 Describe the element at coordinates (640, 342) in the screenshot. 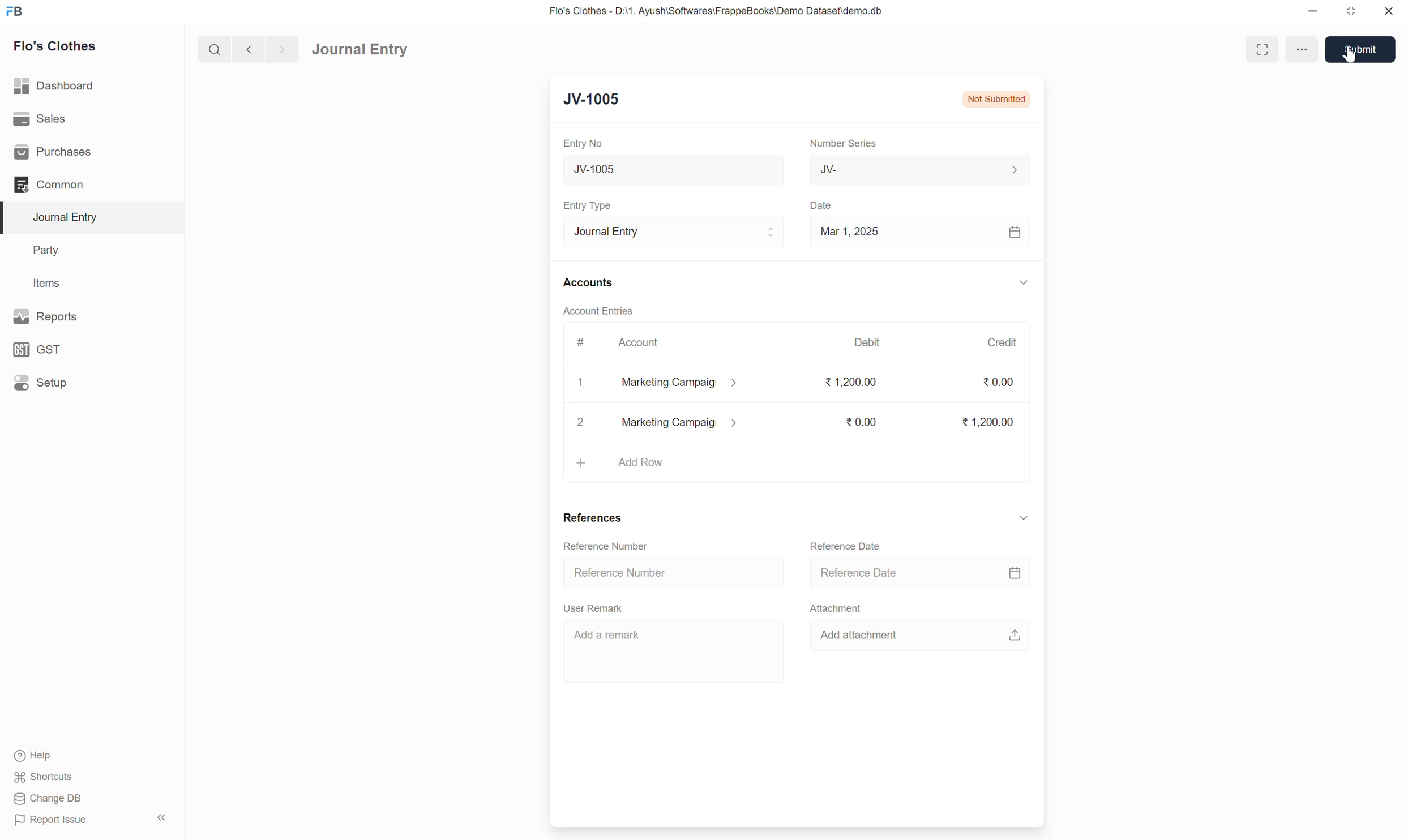

I see `Account` at that location.